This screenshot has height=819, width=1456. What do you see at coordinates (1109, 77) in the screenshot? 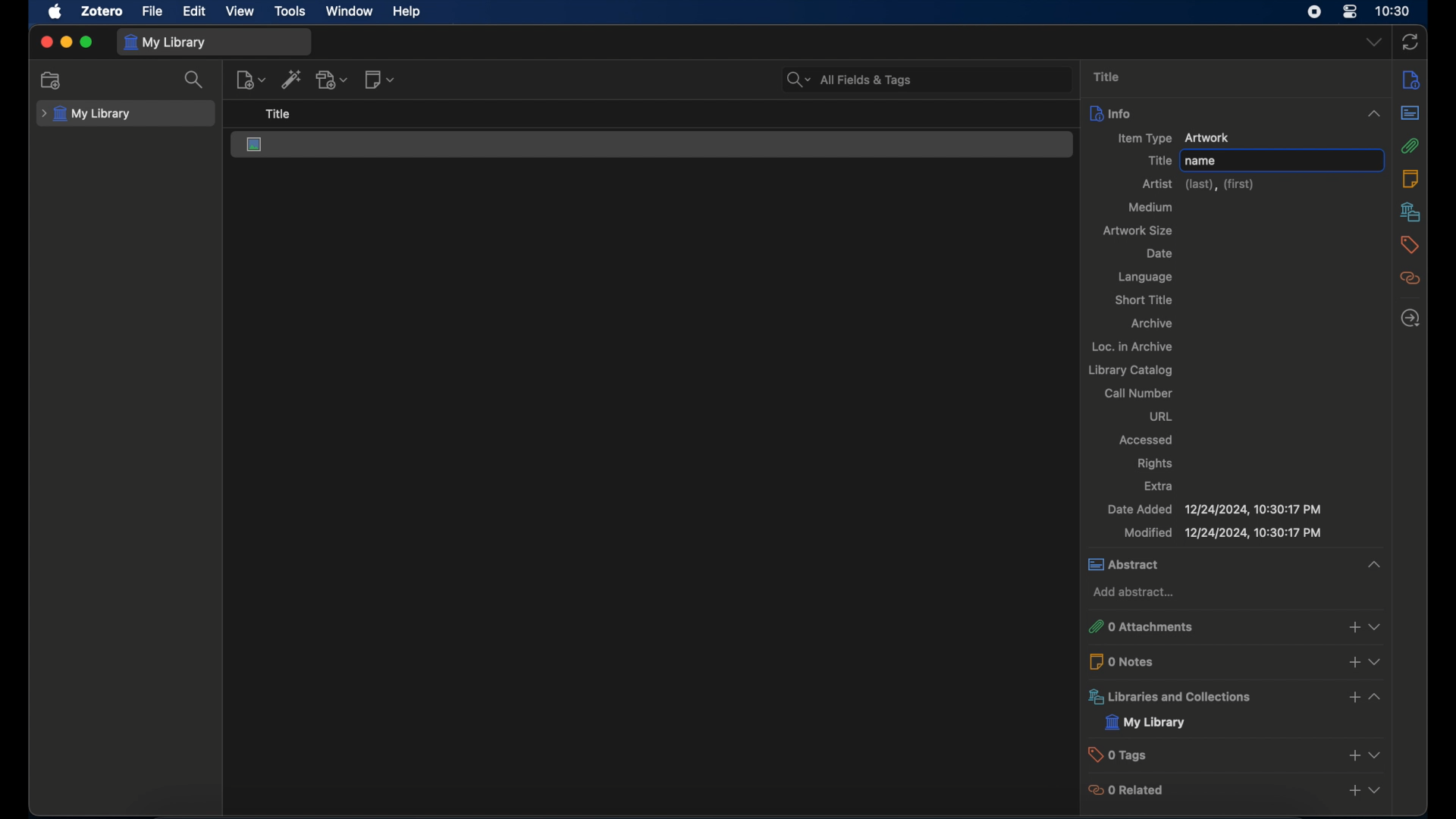
I see `title` at bounding box center [1109, 77].